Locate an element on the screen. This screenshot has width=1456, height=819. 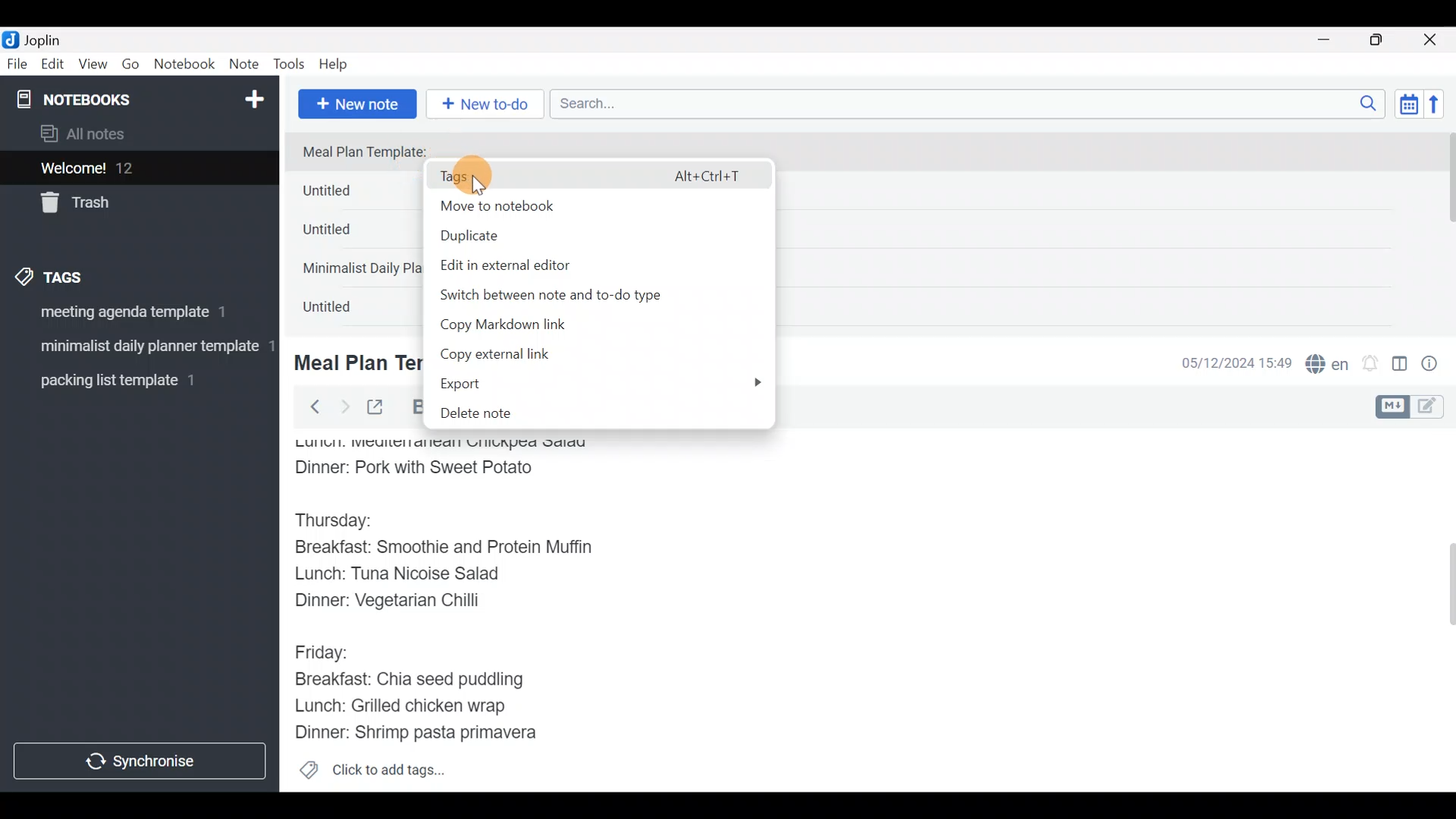
Lunch: Grilled chicken wrap is located at coordinates (399, 705).